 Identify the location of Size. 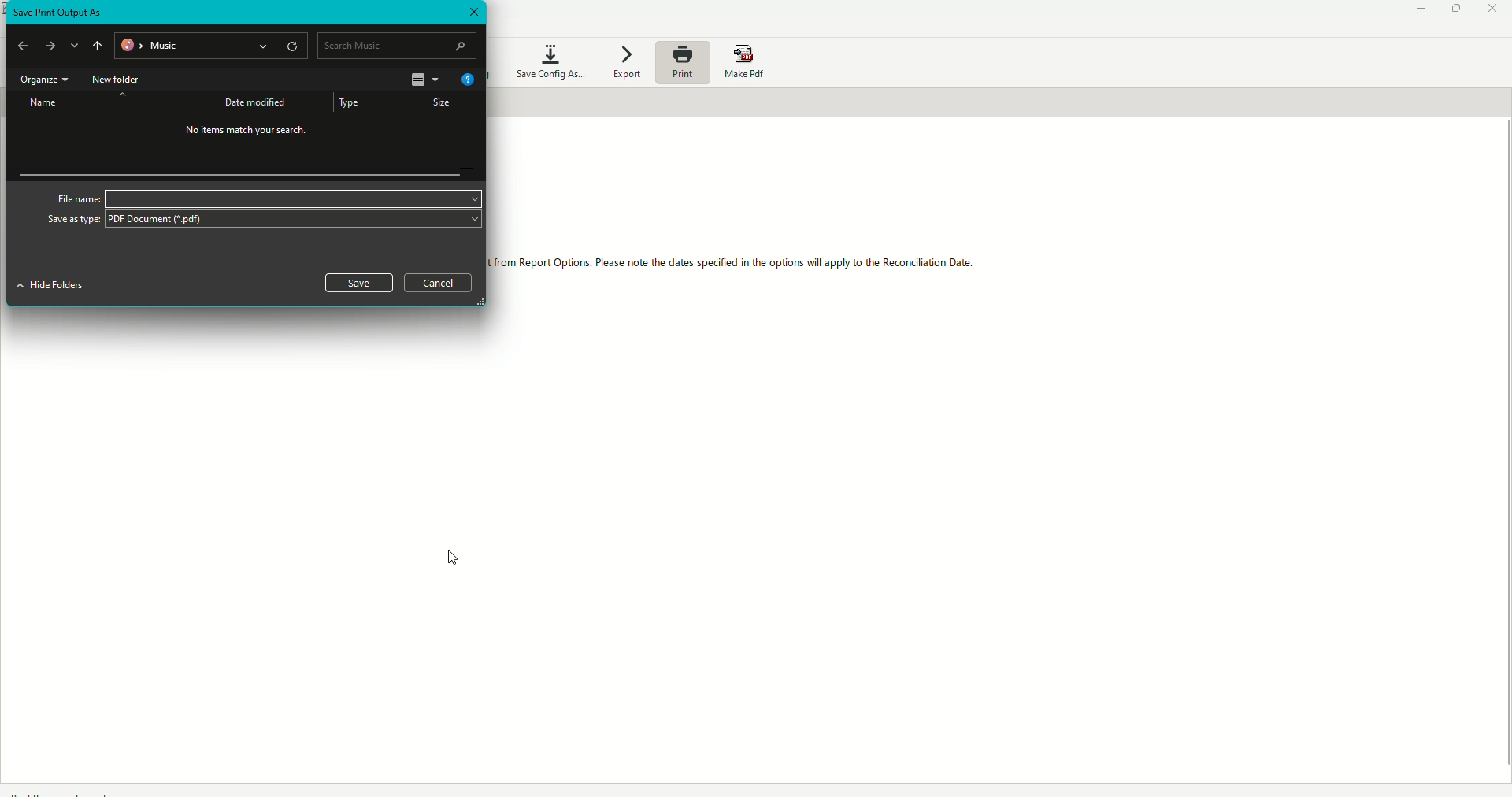
(443, 104).